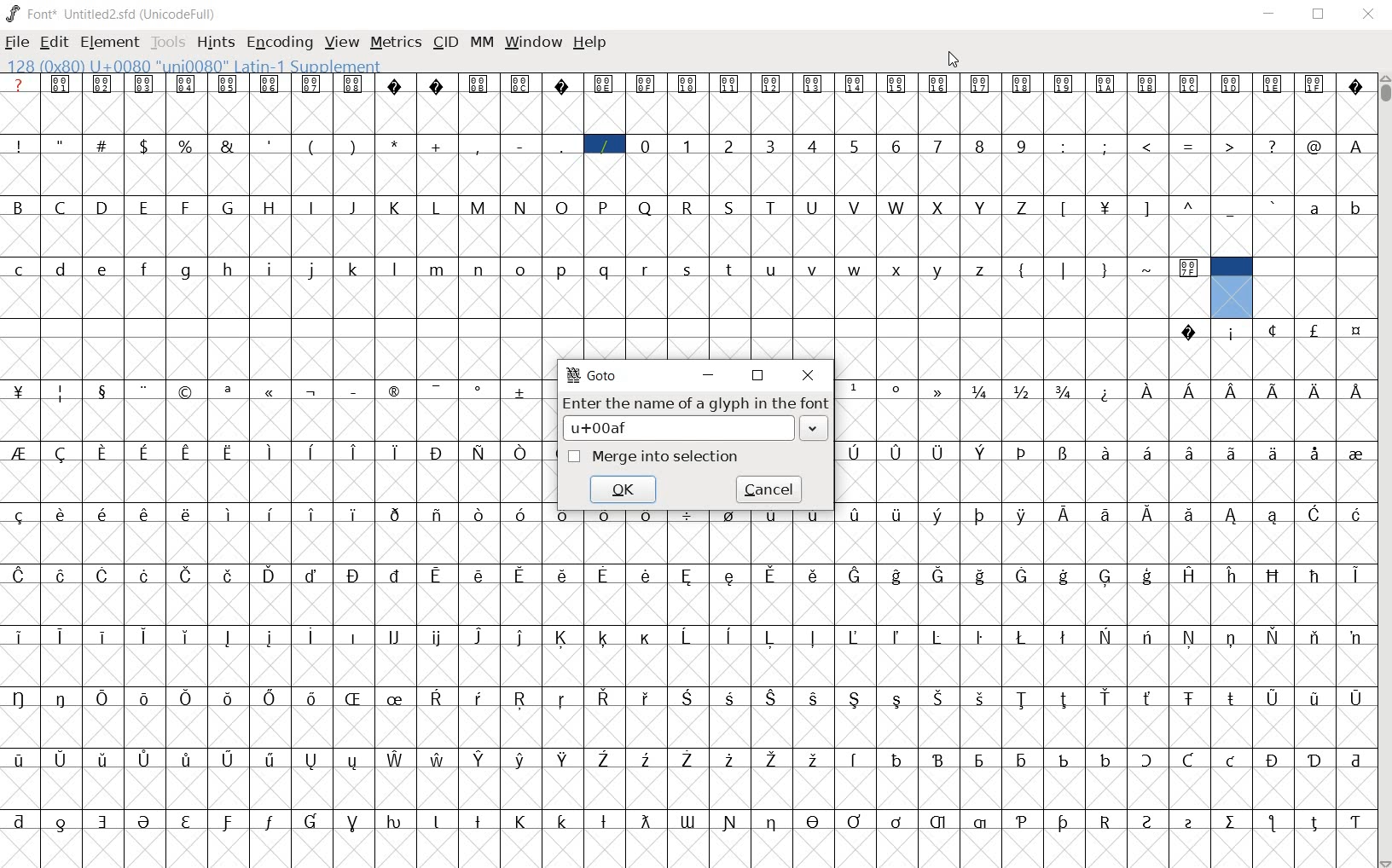 The width and height of the screenshot is (1392, 868). What do you see at coordinates (1024, 576) in the screenshot?
I see `Symbol` at bounding box center [1024, 576].